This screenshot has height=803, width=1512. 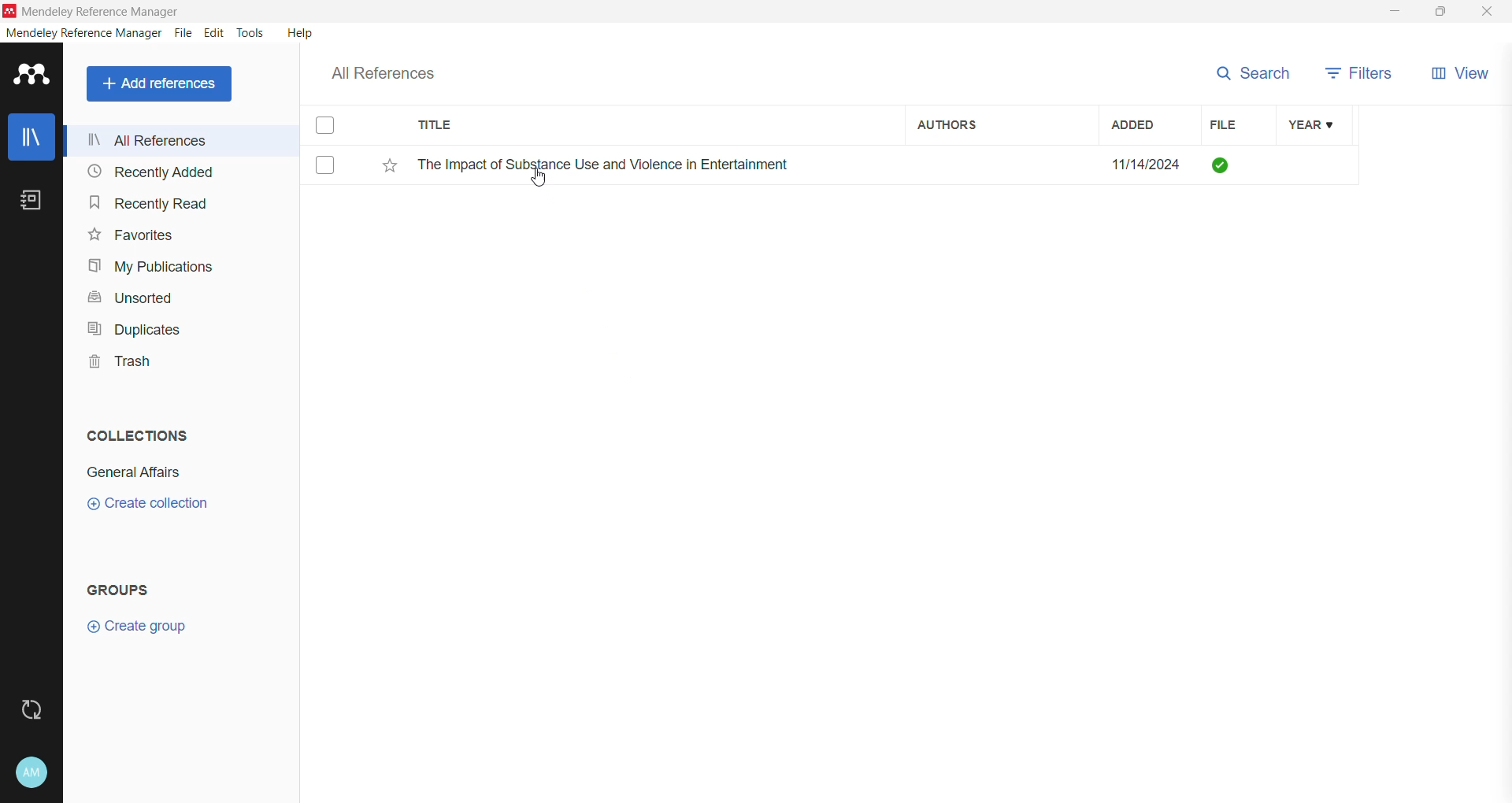 I want to click on View, so click(x=1466, y=76).